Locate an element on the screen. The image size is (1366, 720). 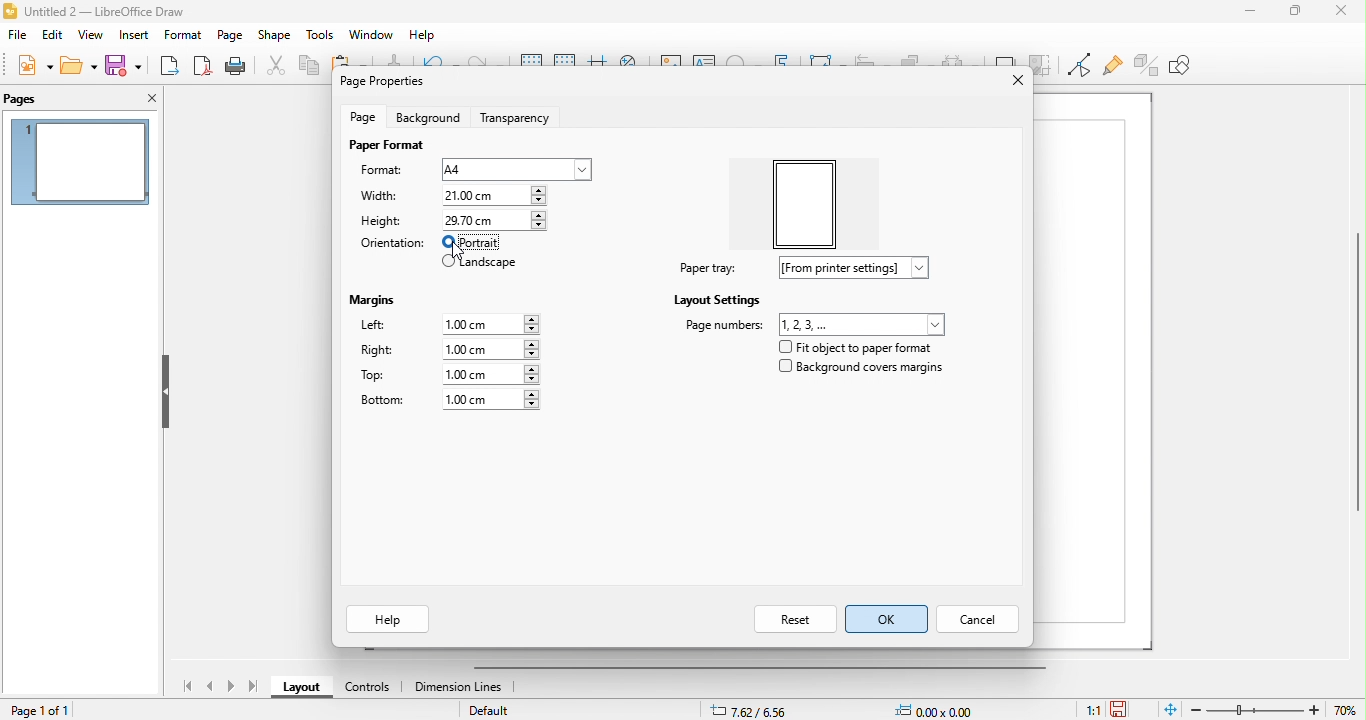
page 1 of 1 is located at coordinates (44, 710).